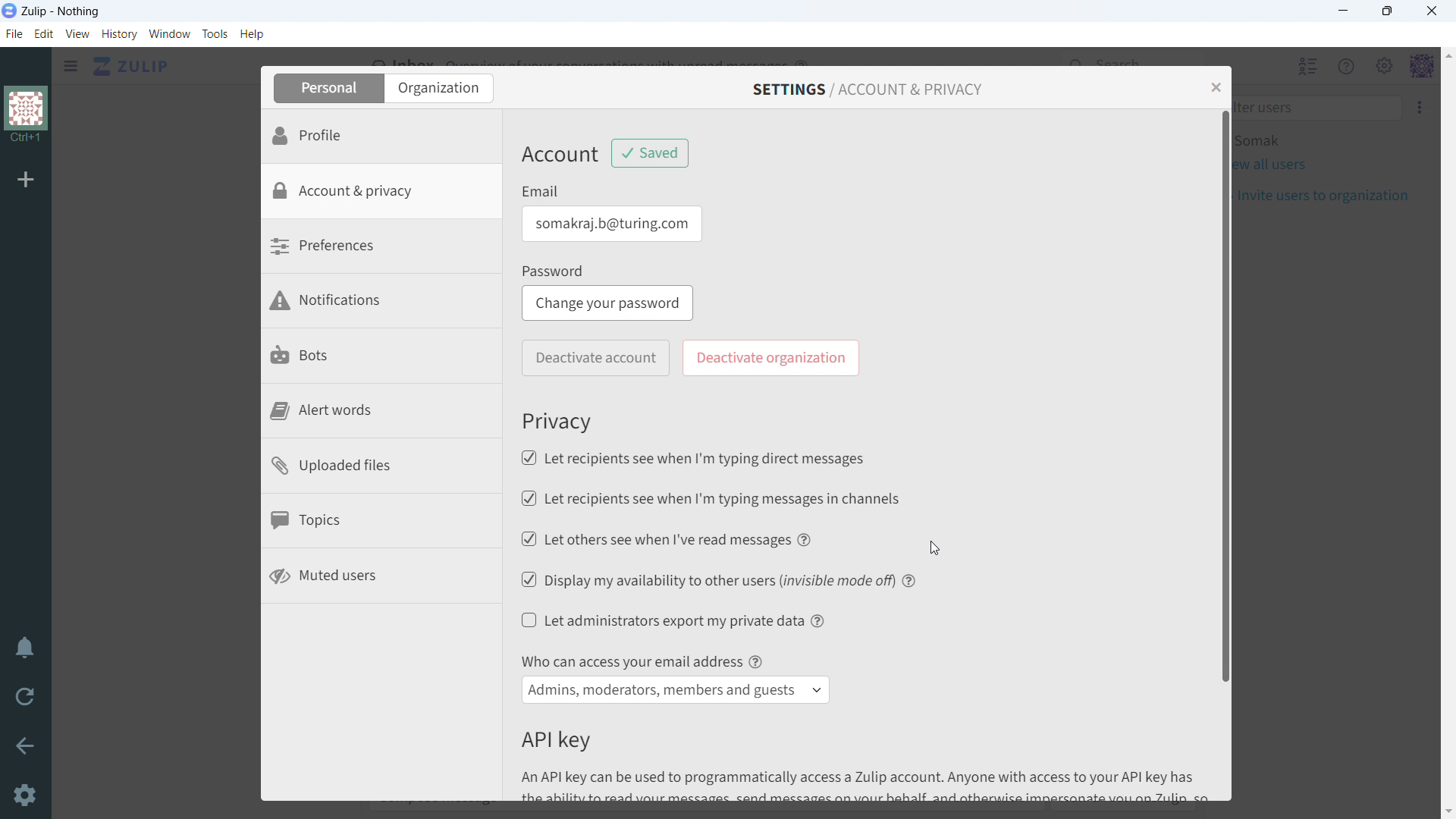  I want to click on reload, so click(24, 695).